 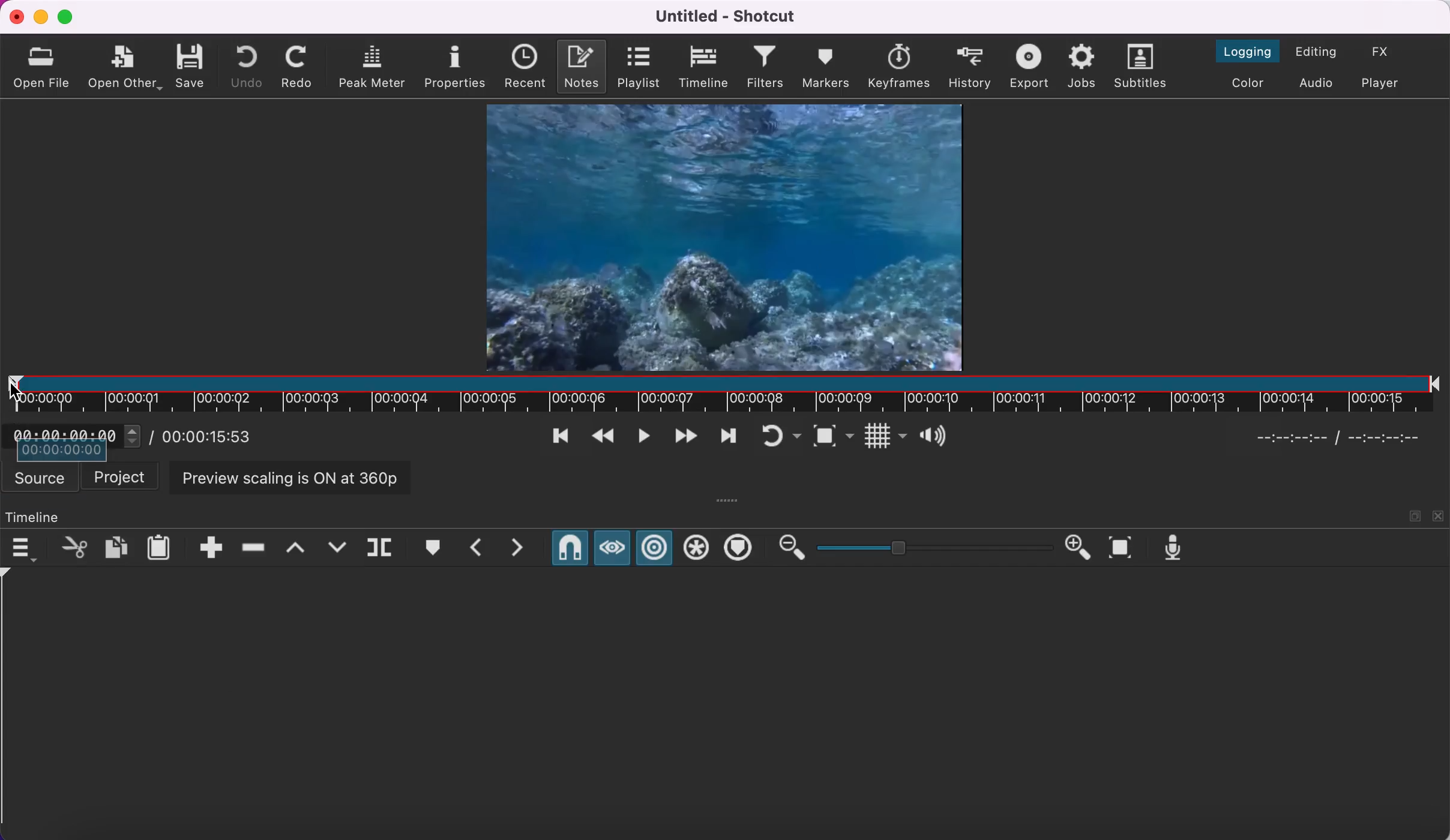 I want to click on play quickly forwards, so click(x=682, y=438).